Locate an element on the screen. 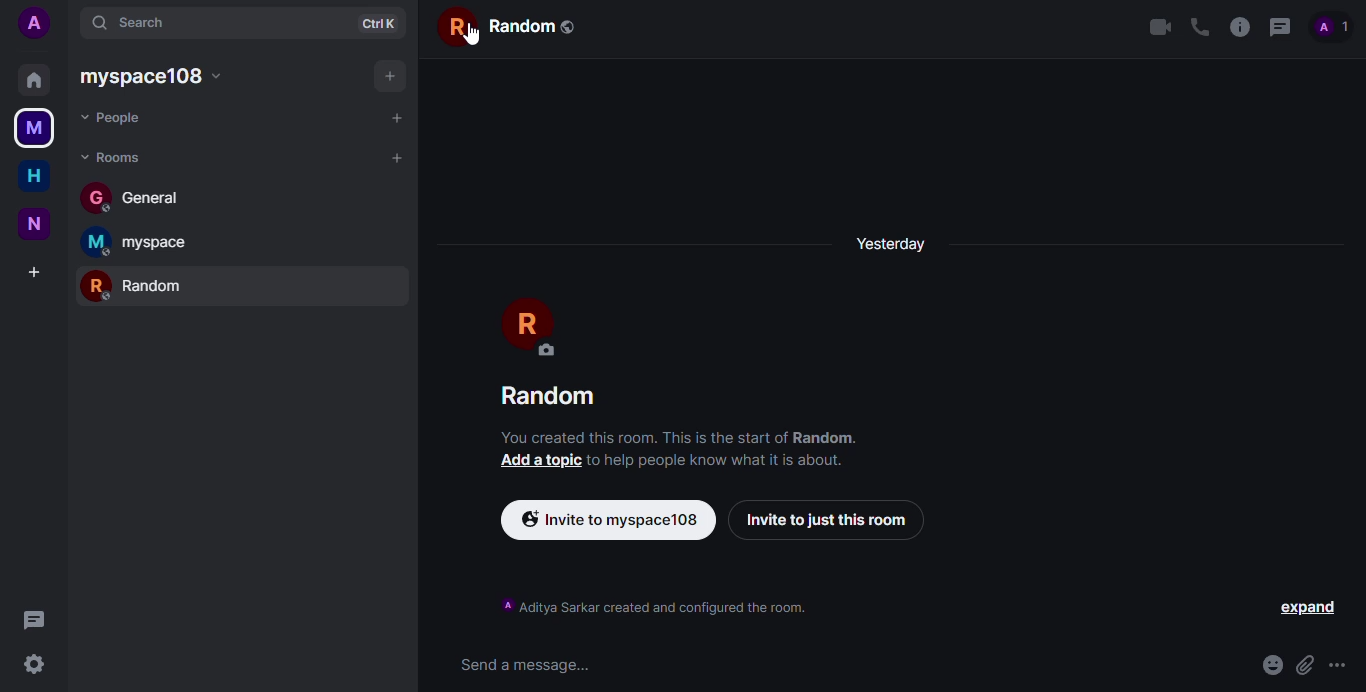 Image resolution: width=1366 pixels, height=692 pixels. add profile picture is located at coordinates (40, 23).